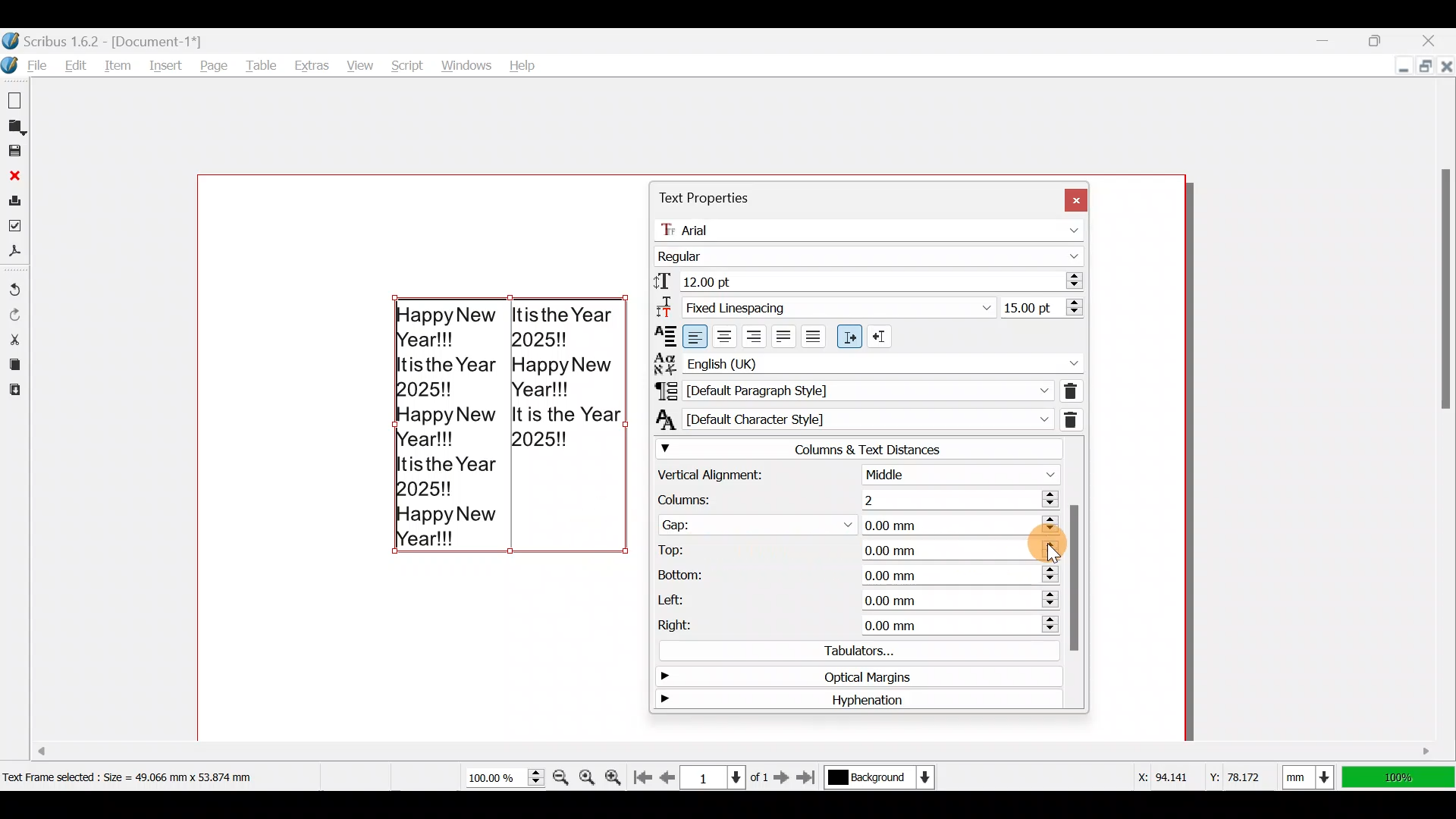 The height and width of the screenshot is (819, 1456). I want to click on Columns & text distances, so click(857, 449).